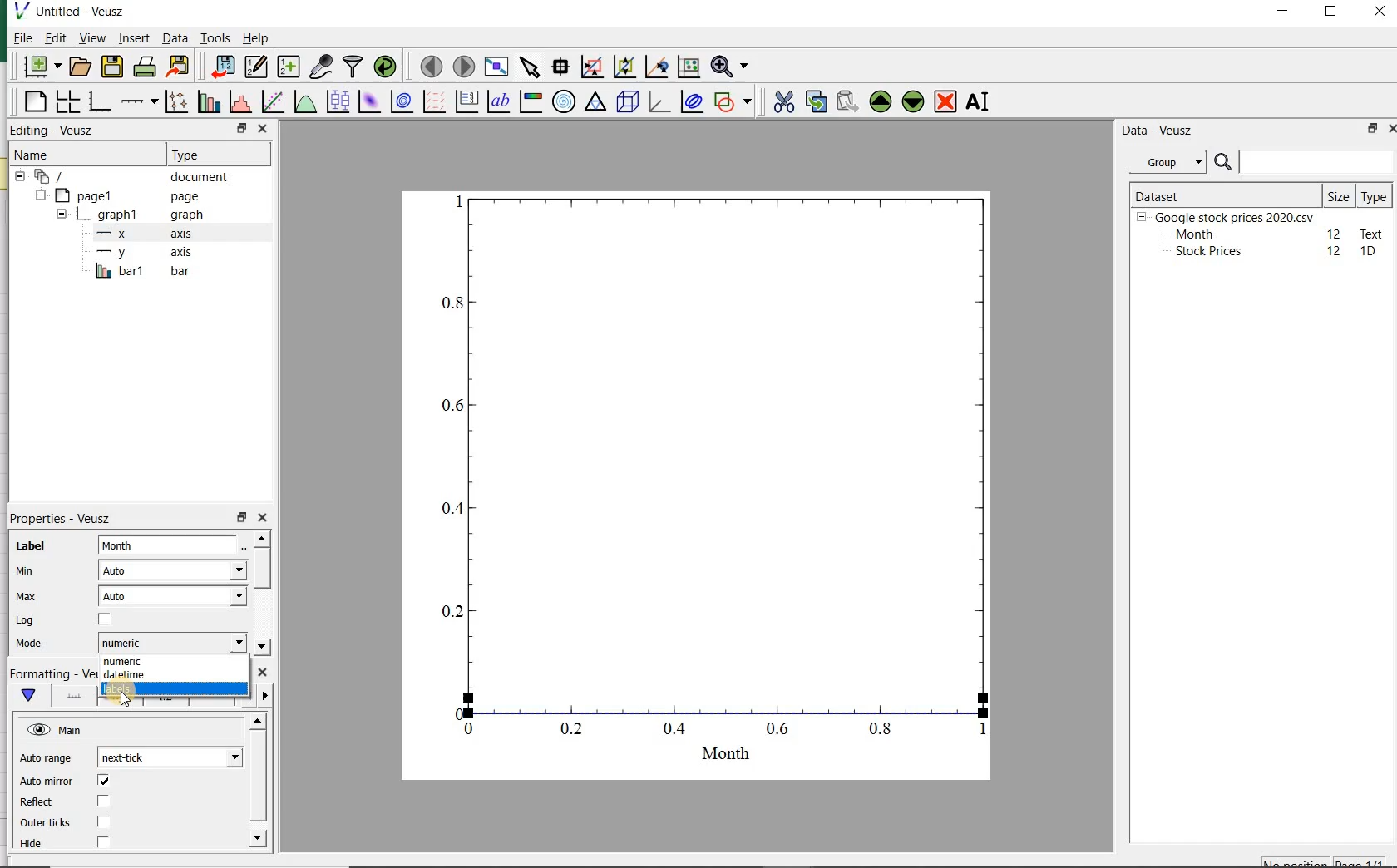 Image resolution: width=1397 pixels, height=868 pixels. Describe the element at coordinates (563, 101) in the screenshot. I see `polar graph` at that location.